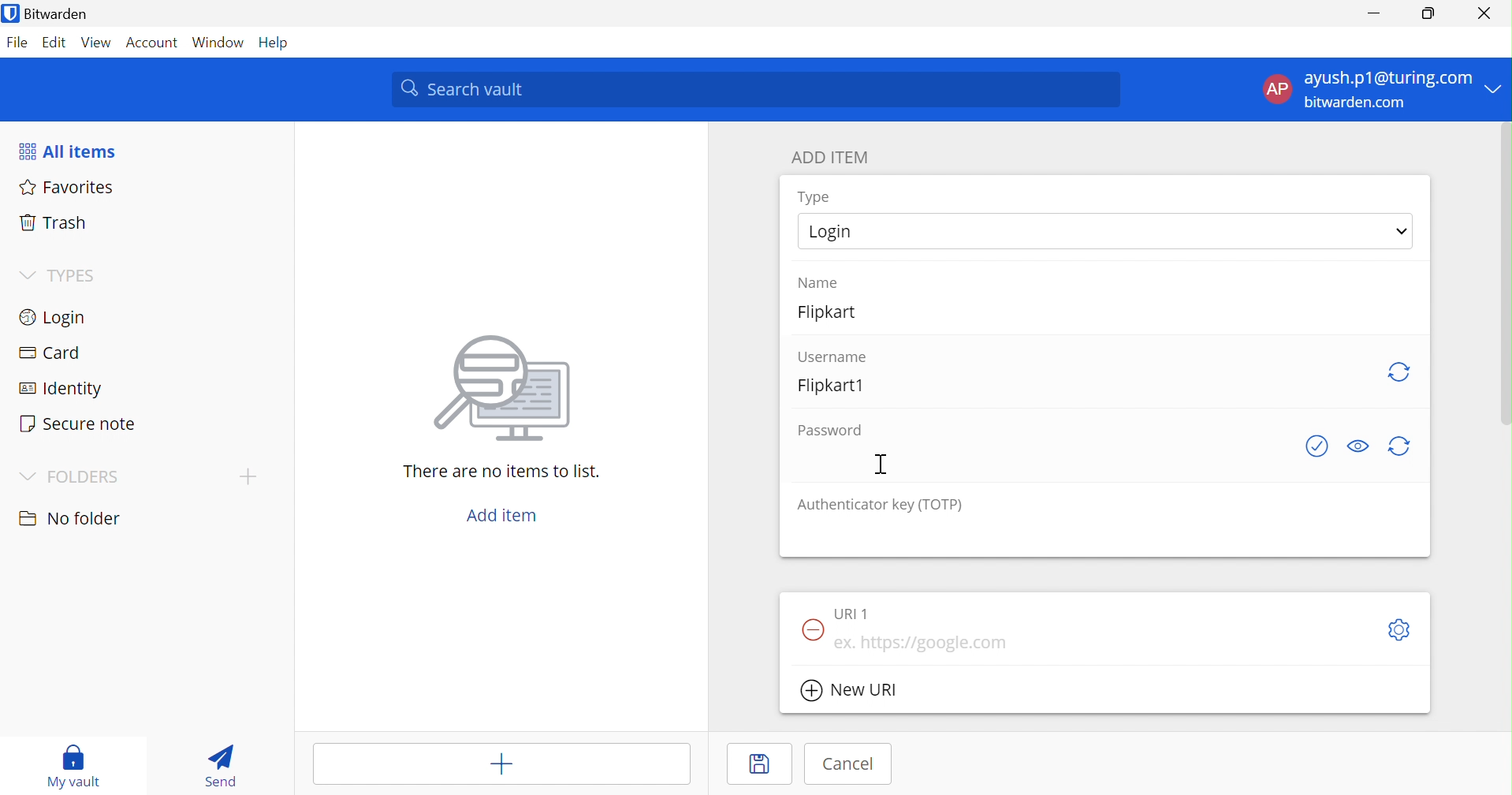 The height and width of the screenshot is (795, 1512). I want to click on FOLDERS, so click(84, 478).